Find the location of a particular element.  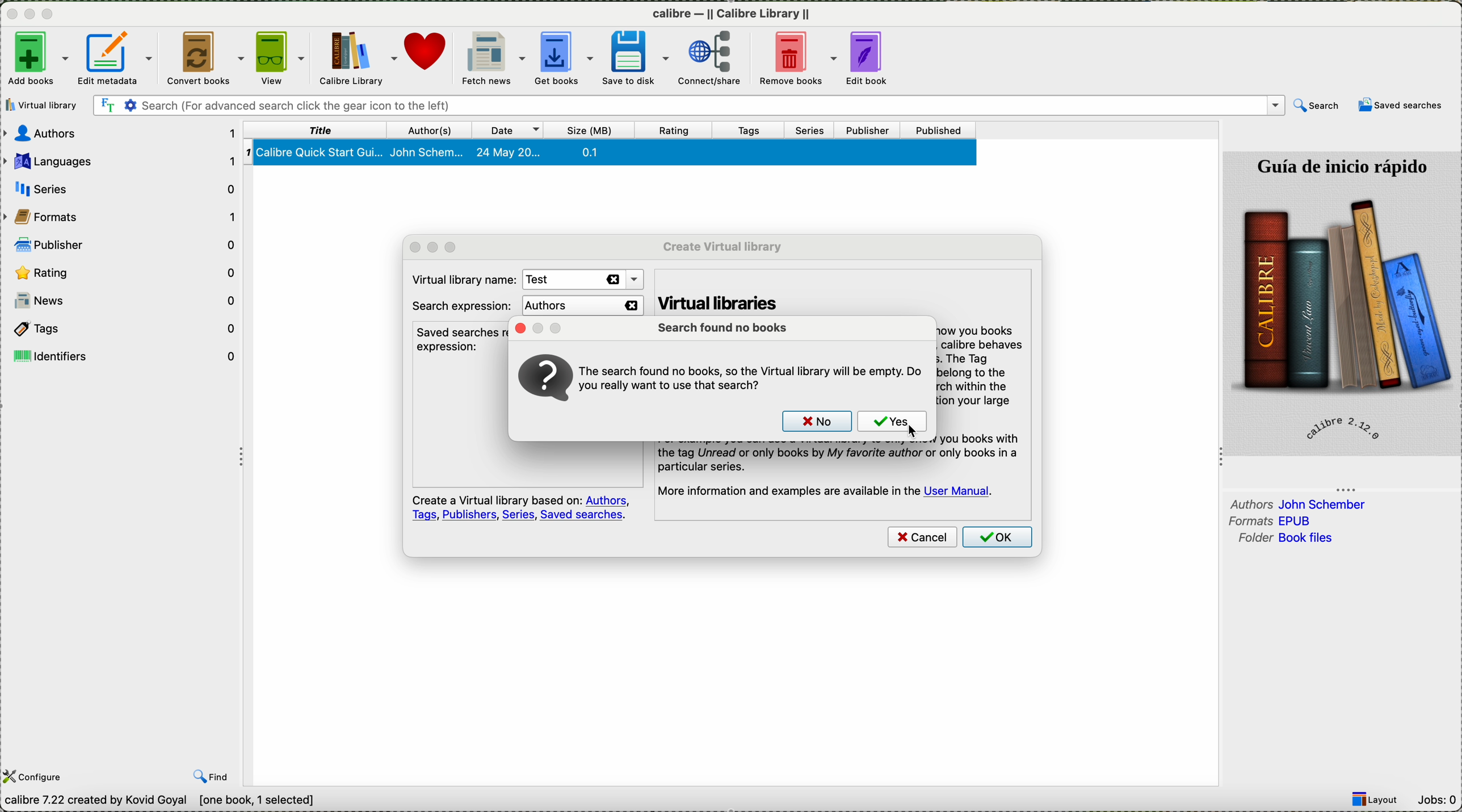

donate is located at coordinates (430, 58).